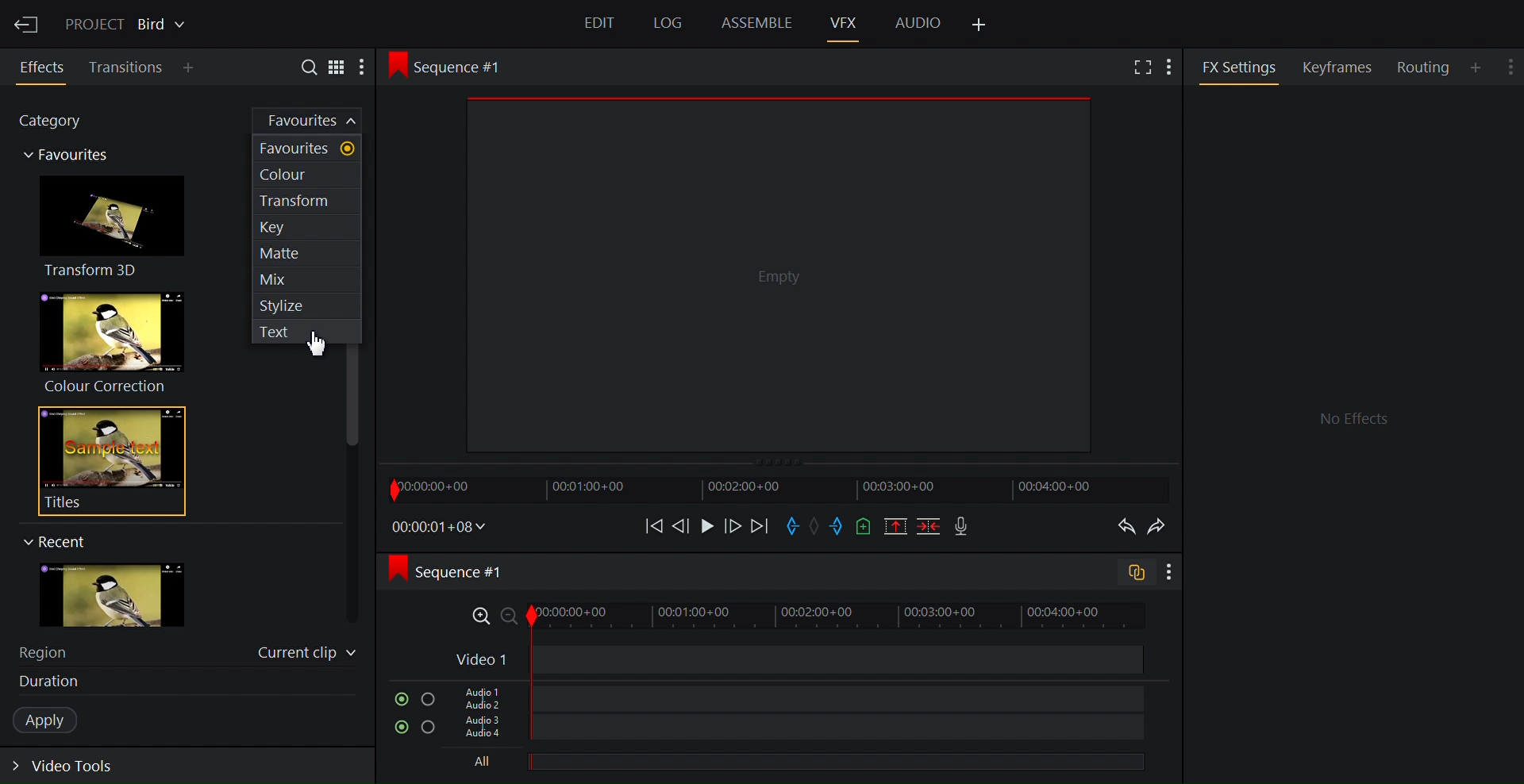 The width and height of the screenshot is (1524, 784). Describe the element at coordinates (1131, 575) in the screenshot. I see `Toggle audio trcak sync` at that location.